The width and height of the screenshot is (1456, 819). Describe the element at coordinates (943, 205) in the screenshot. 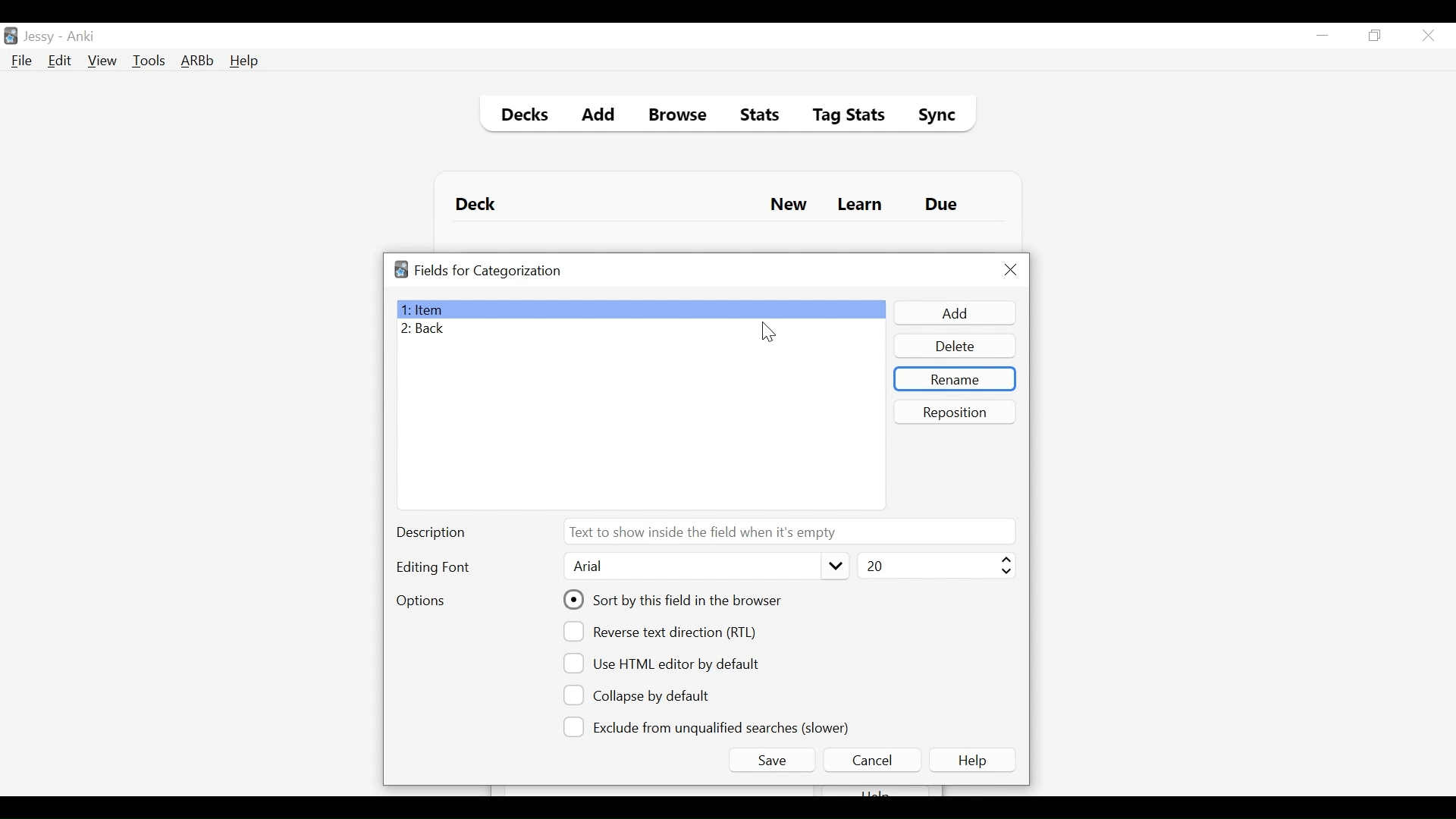

I see `Due` at that location.